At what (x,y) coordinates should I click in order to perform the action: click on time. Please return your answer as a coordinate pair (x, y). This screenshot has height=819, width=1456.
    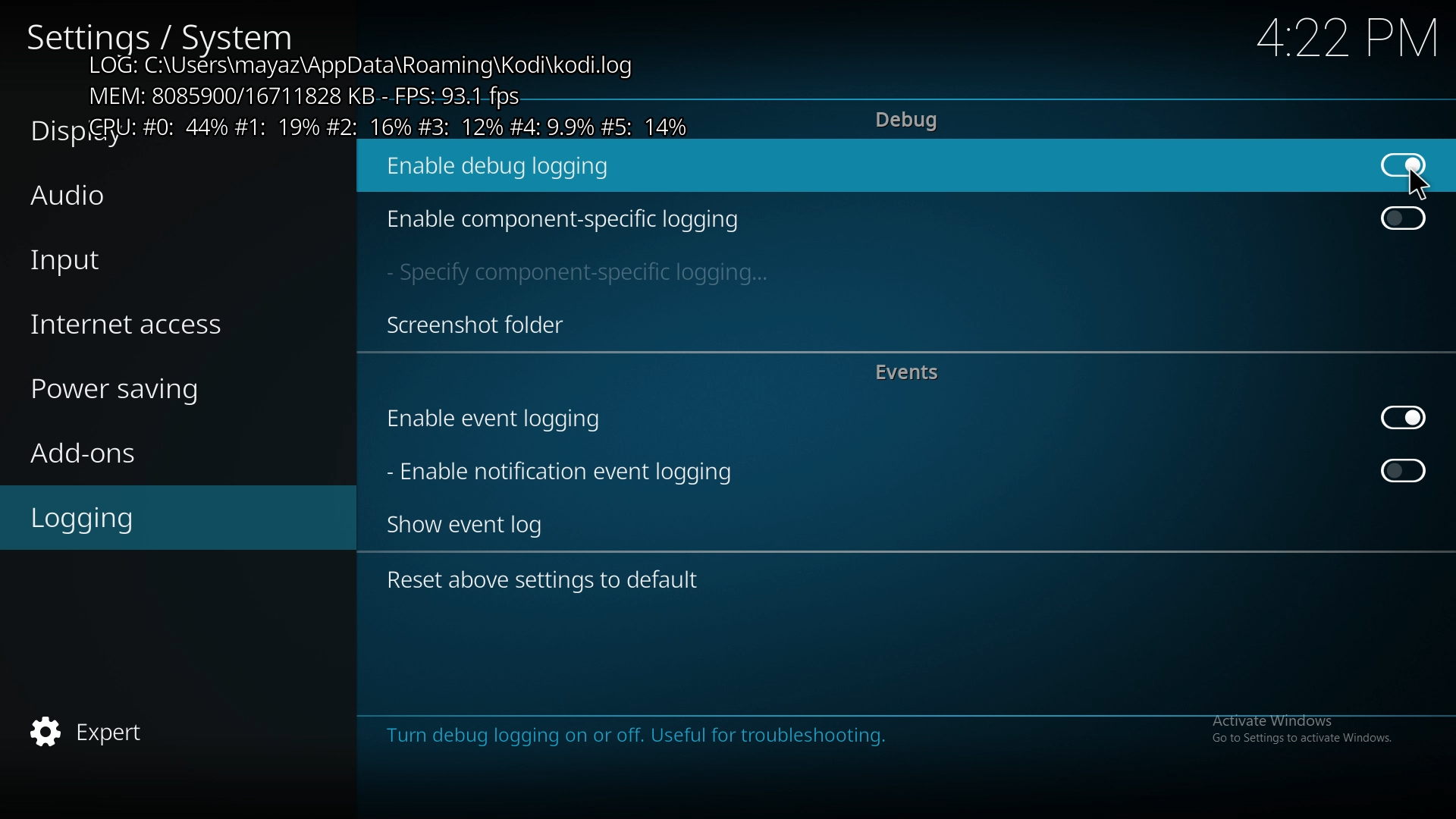
    Looking at the image, I should click on (1332, 39).